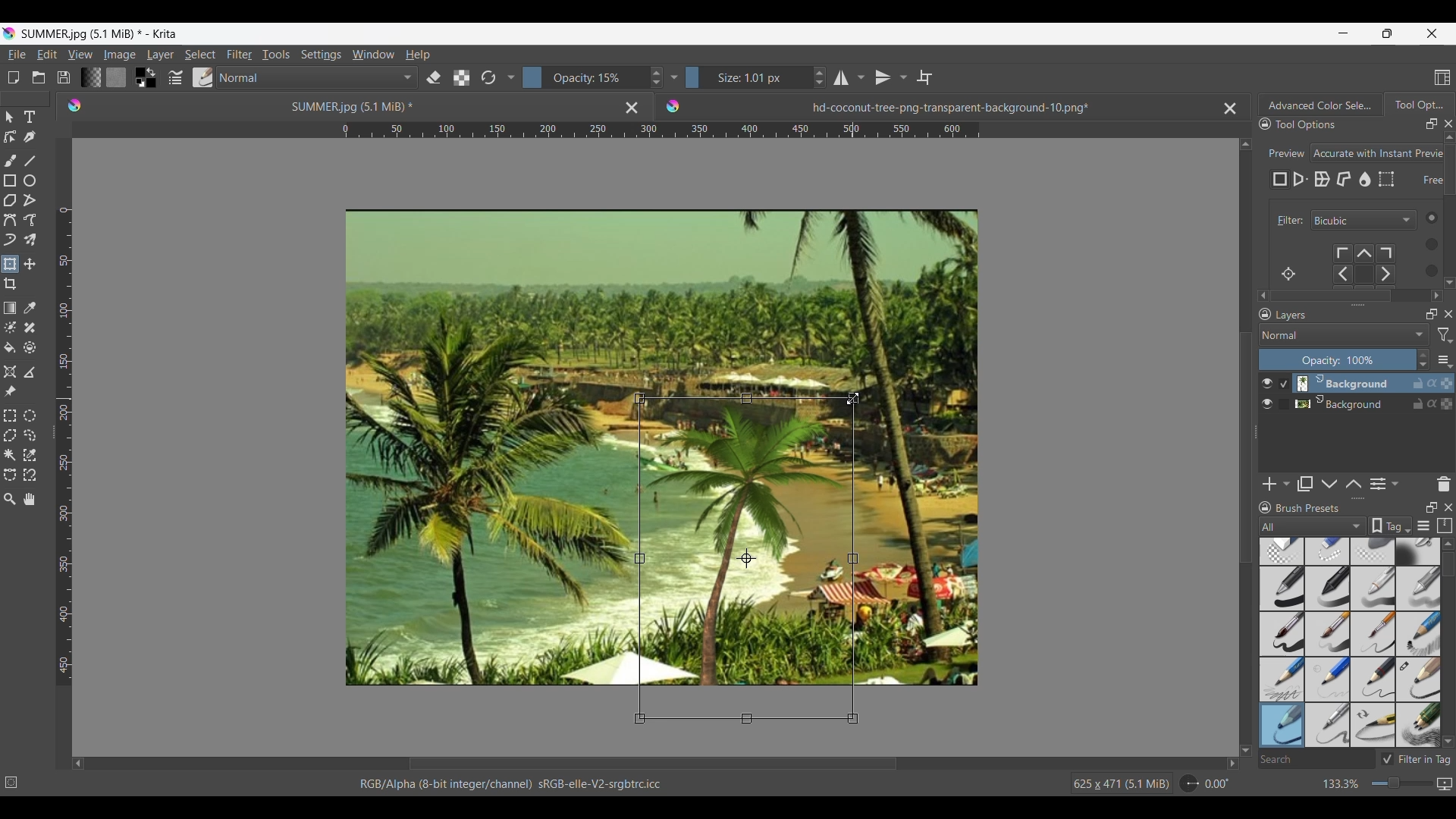 The width and height of the screenshot is (1456, 819). What do you see at coordinates (1287, 221) in the screenshot?
I see `Filter` at bounding box center [1287, 221].